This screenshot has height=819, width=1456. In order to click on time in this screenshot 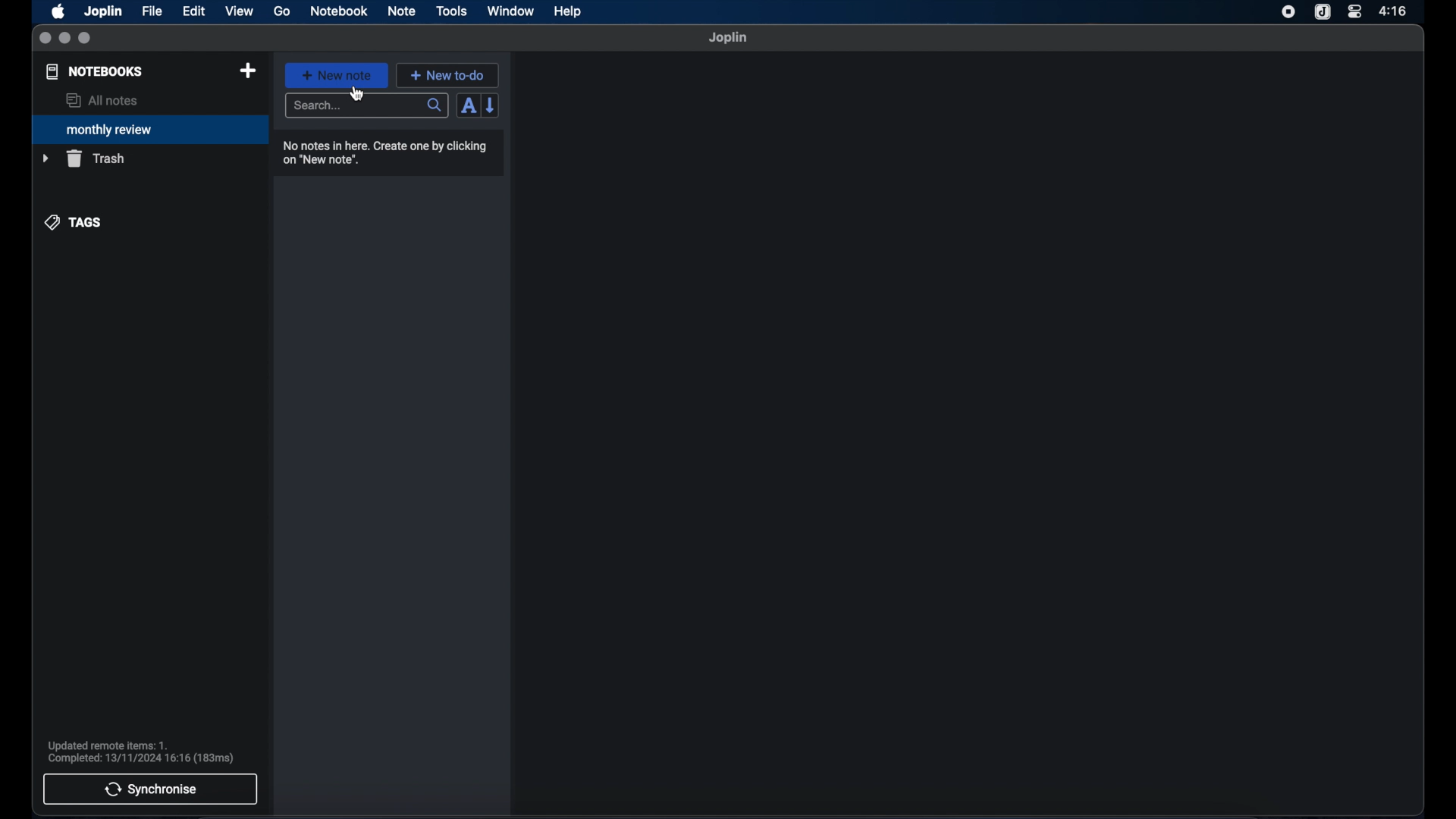, I will do `click(1395, 11)`.